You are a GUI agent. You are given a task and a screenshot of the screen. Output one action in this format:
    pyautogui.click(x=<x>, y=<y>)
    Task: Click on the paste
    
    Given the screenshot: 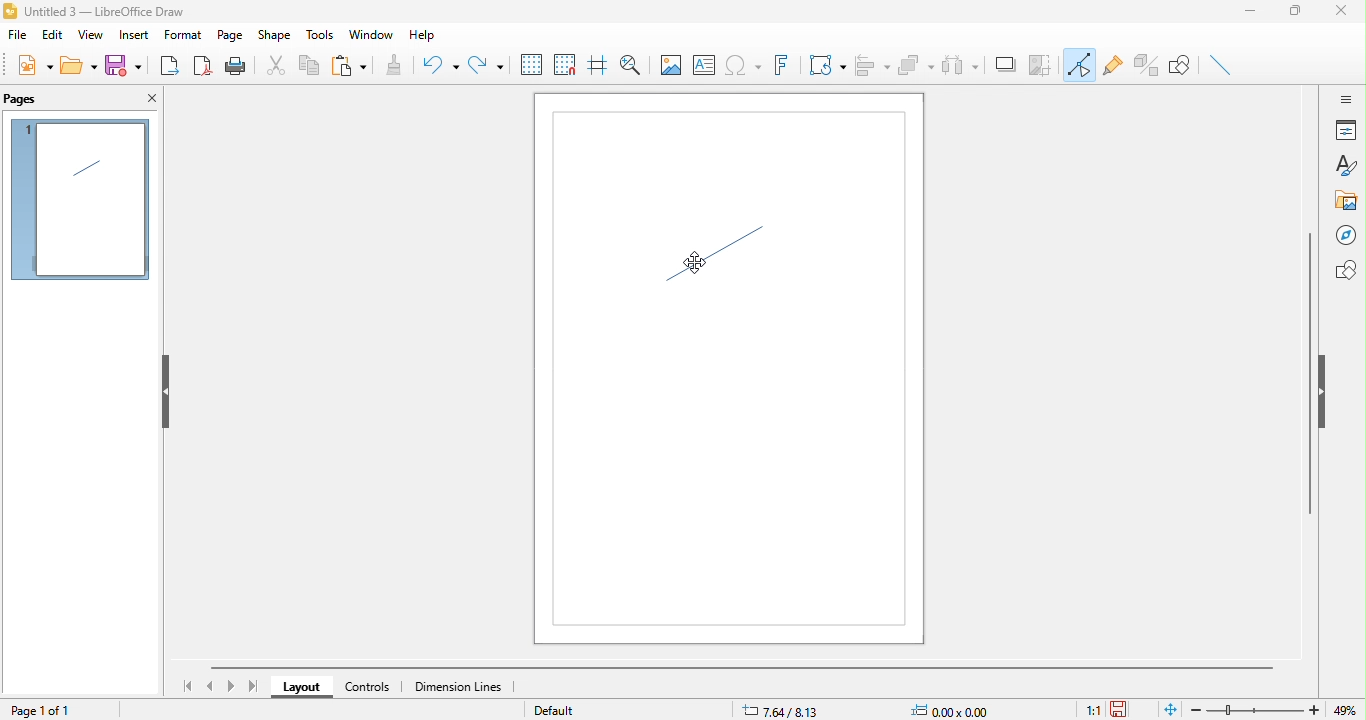 What is the action you would take?
    pyautogui.click(x=355, y=66)
    